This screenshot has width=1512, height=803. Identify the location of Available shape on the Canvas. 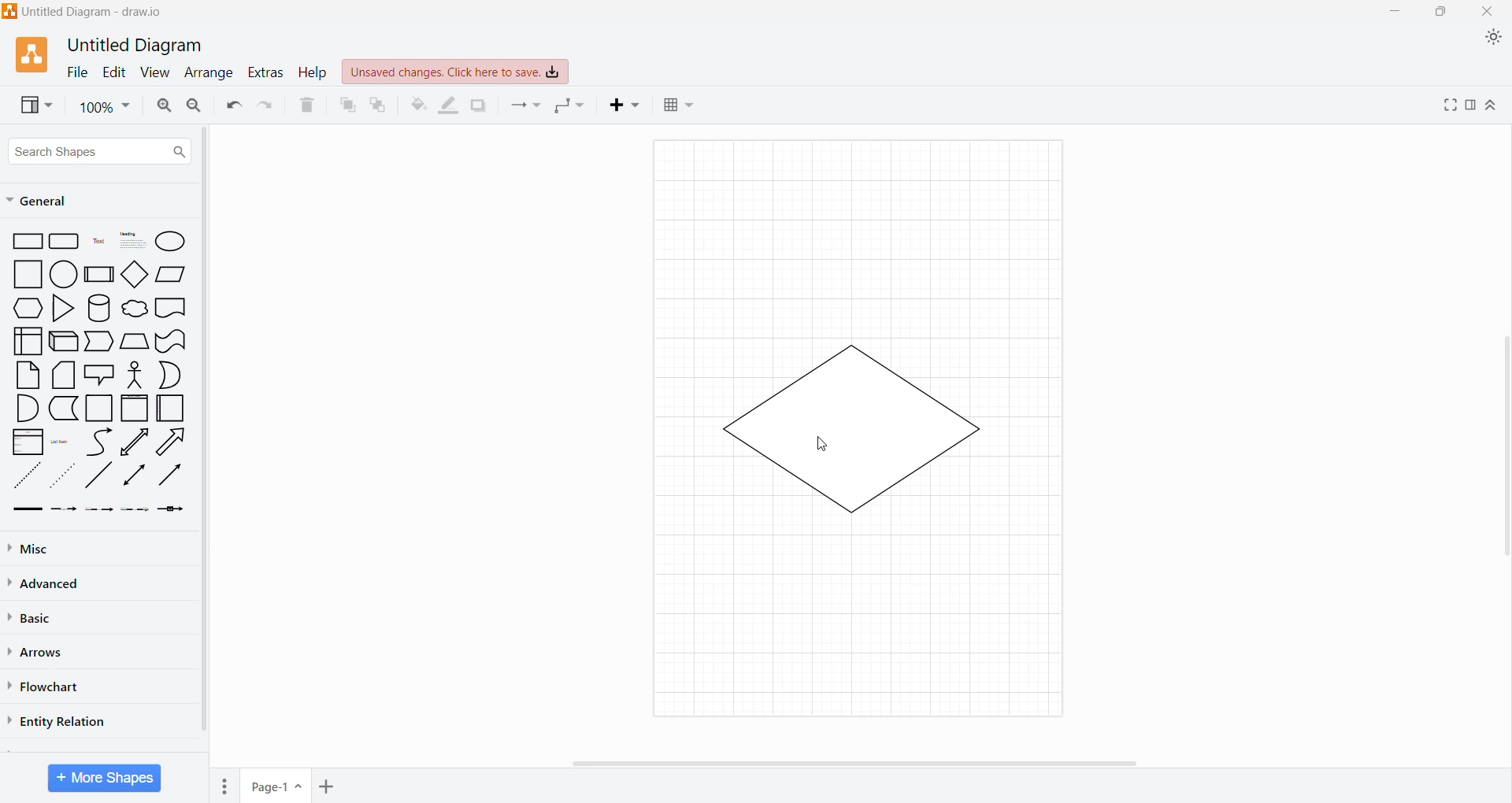
(848, 428).